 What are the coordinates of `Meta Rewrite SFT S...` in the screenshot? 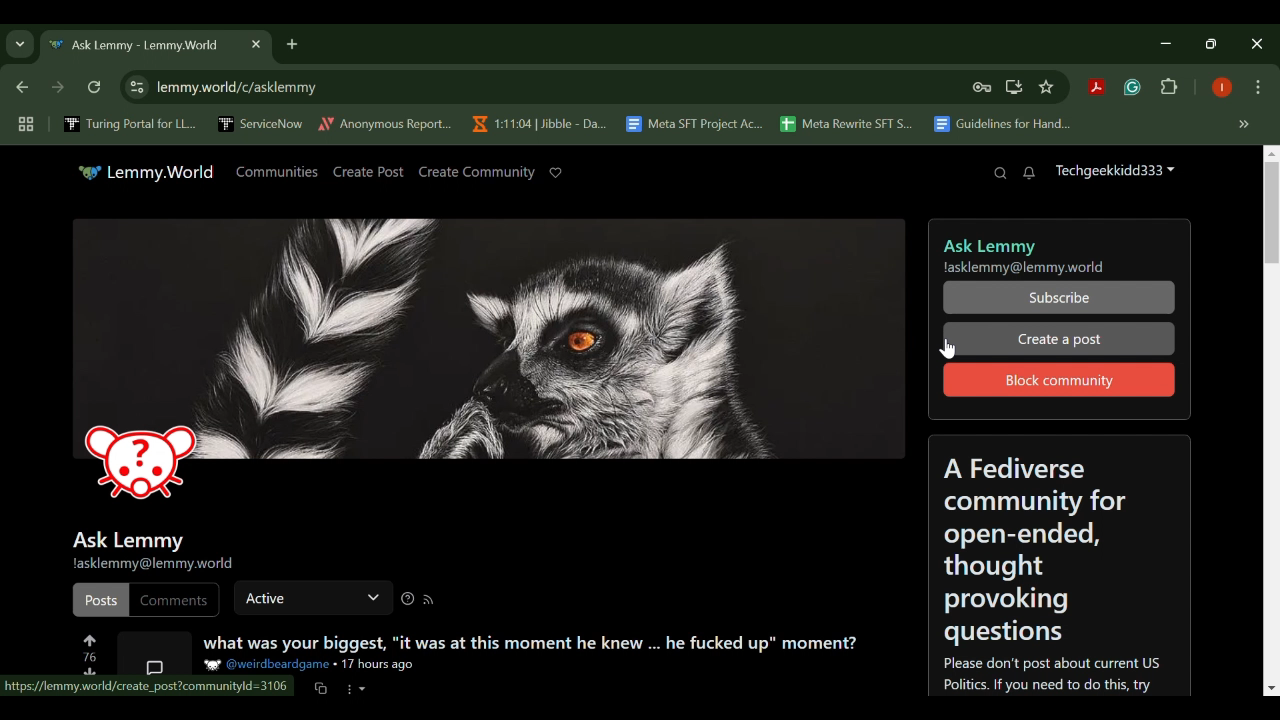 It's located at (847, 125).